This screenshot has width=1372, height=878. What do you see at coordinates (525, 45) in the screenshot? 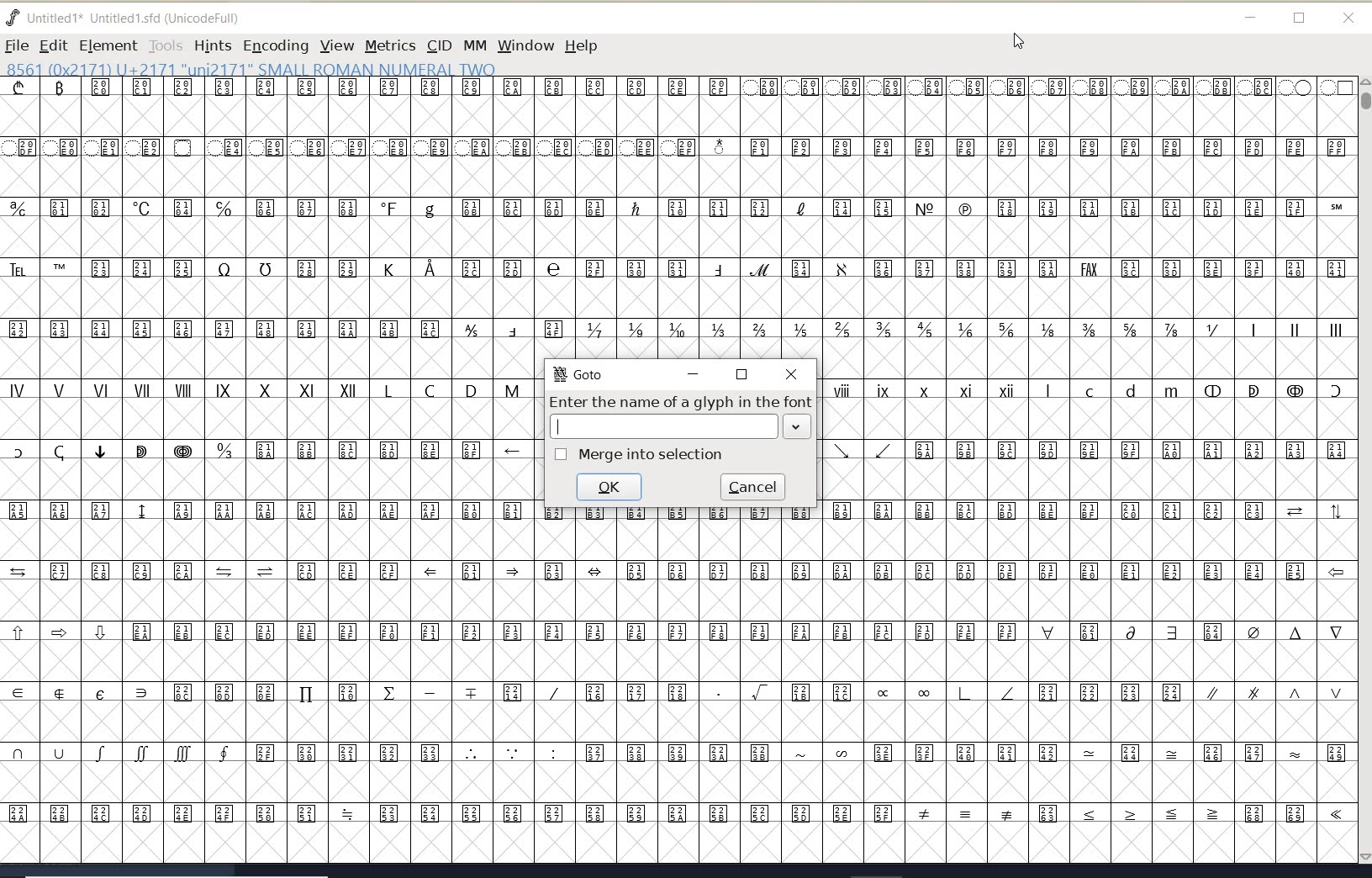
I see `window` at bounding box center [525, 45].